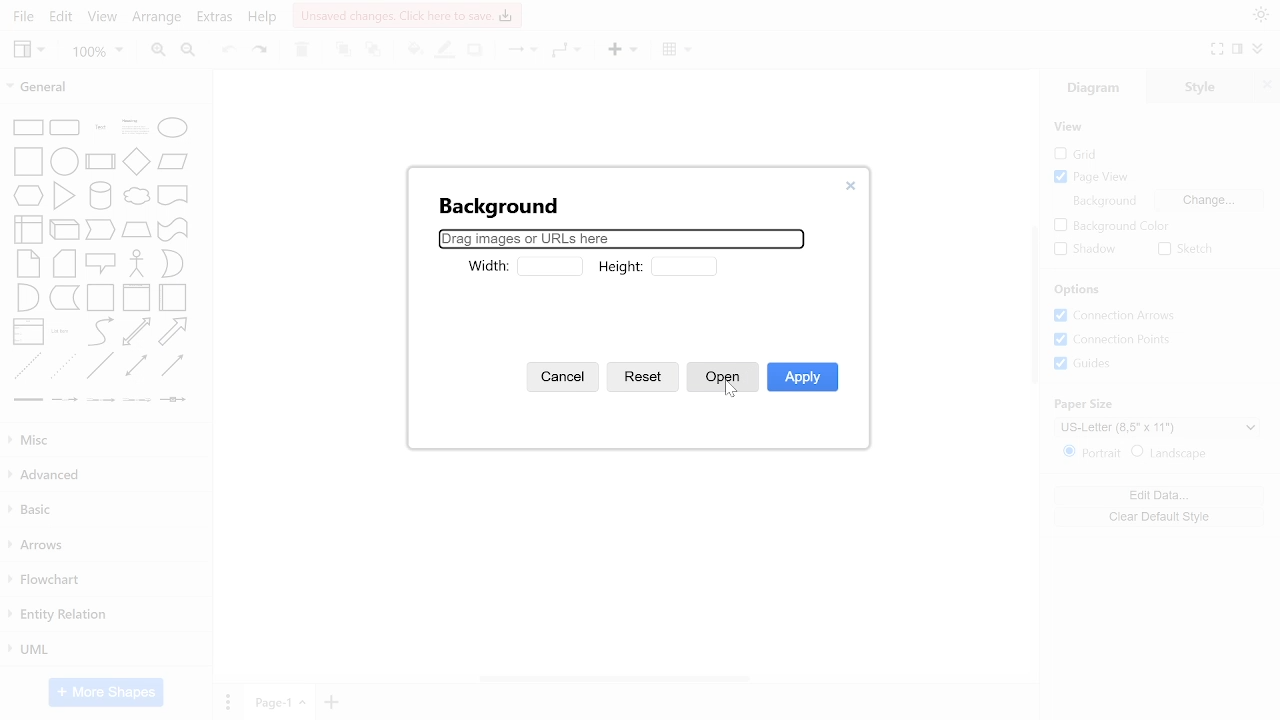 The image size is (1280, 720). Describe the element at coordinates (564, 50) in the screenshot. I see `waypoints` at that location.